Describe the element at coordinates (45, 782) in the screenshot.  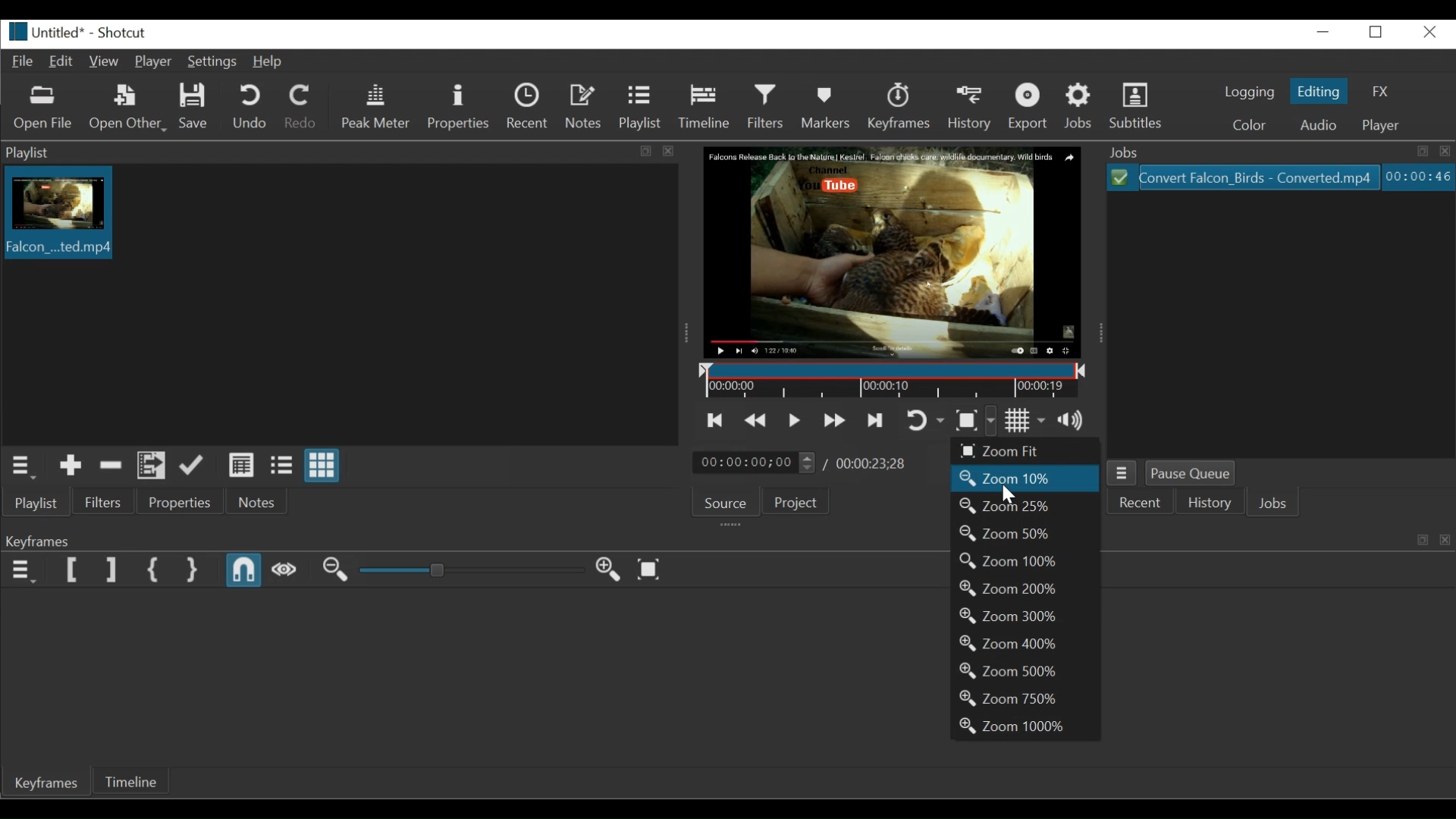
I see `Keyframes` at that location.